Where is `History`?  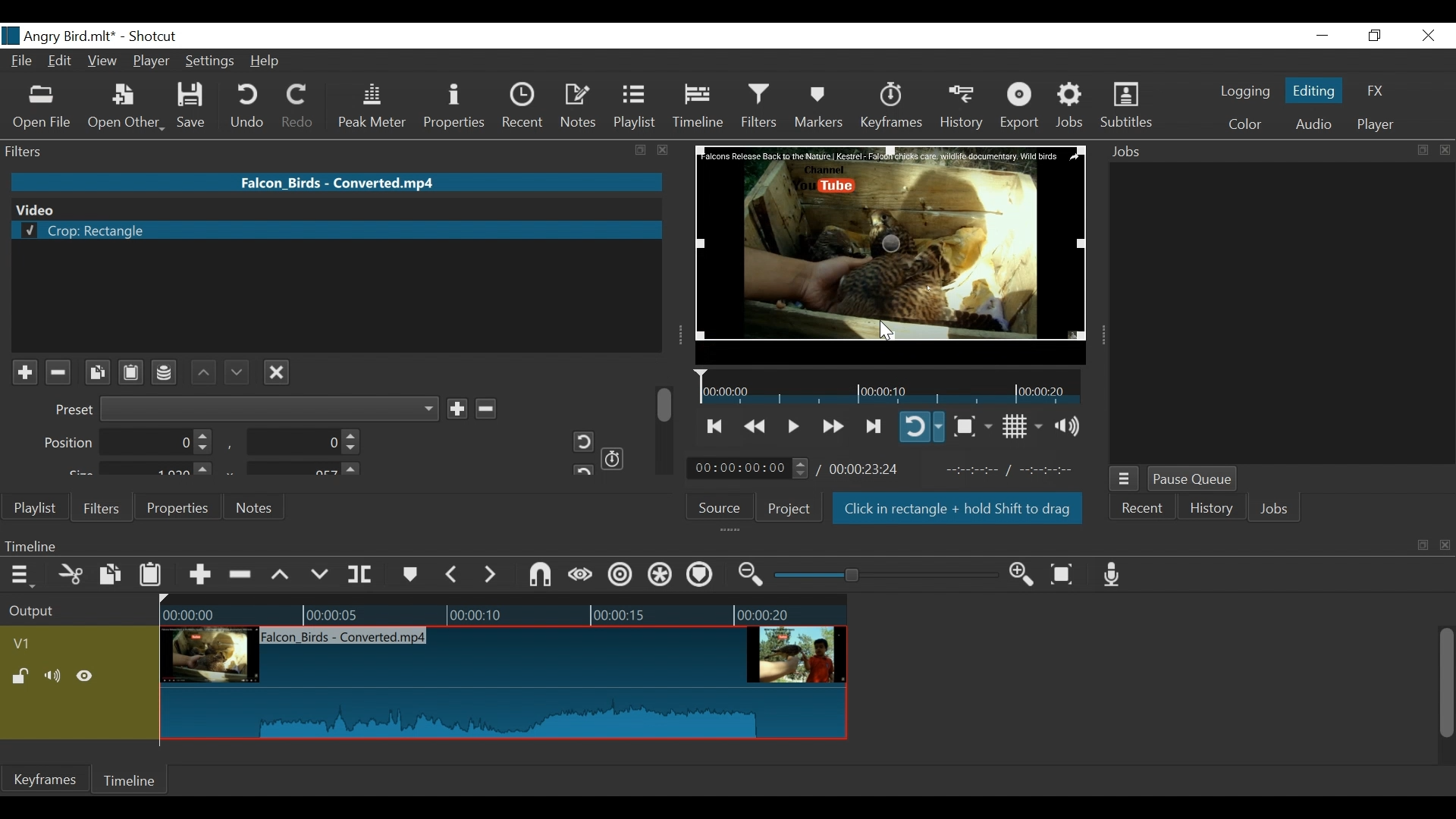 History is located at coordinates (962, 107).